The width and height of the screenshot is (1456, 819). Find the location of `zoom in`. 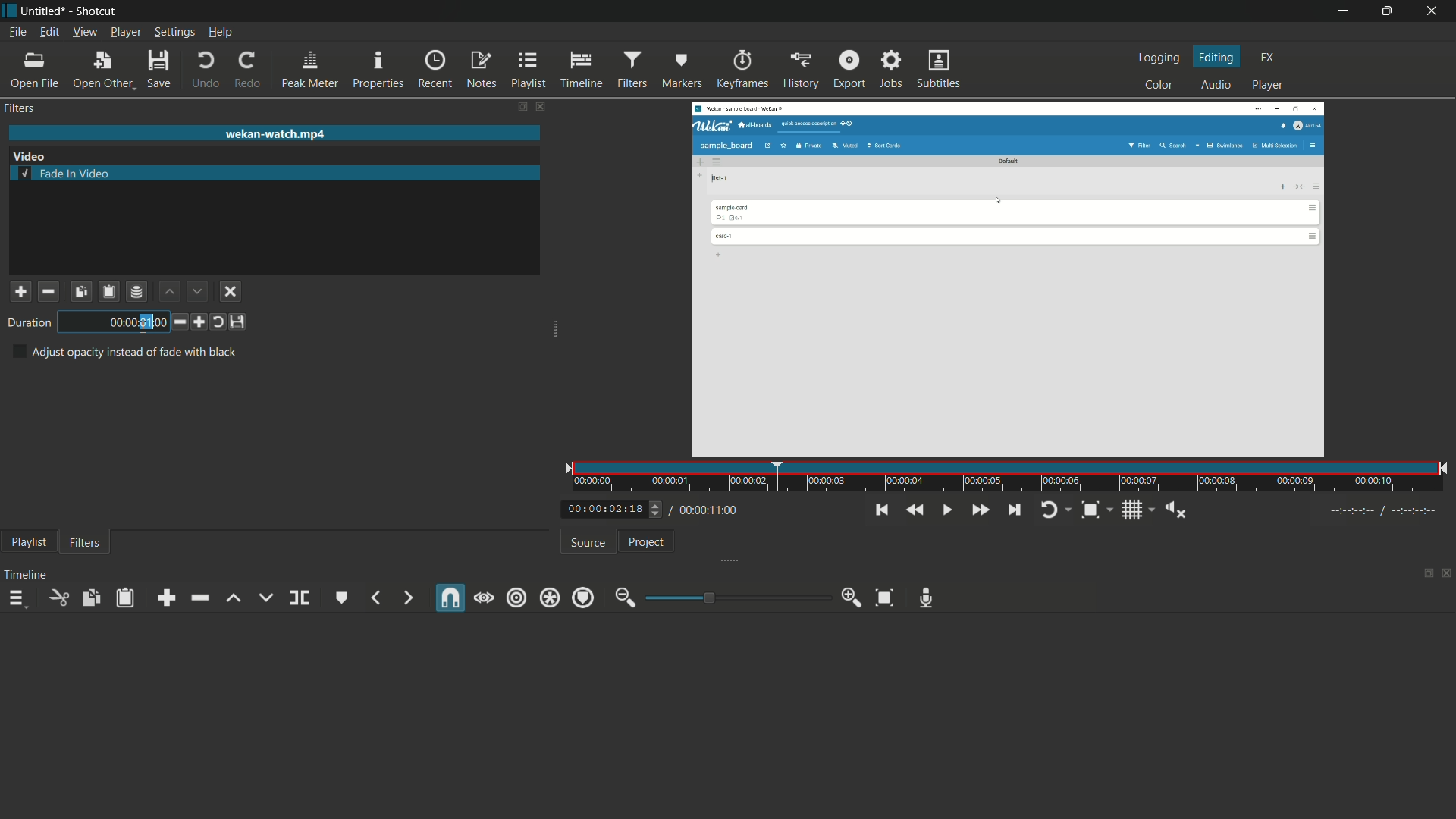

zoom in is located at coordinates (852, 598).